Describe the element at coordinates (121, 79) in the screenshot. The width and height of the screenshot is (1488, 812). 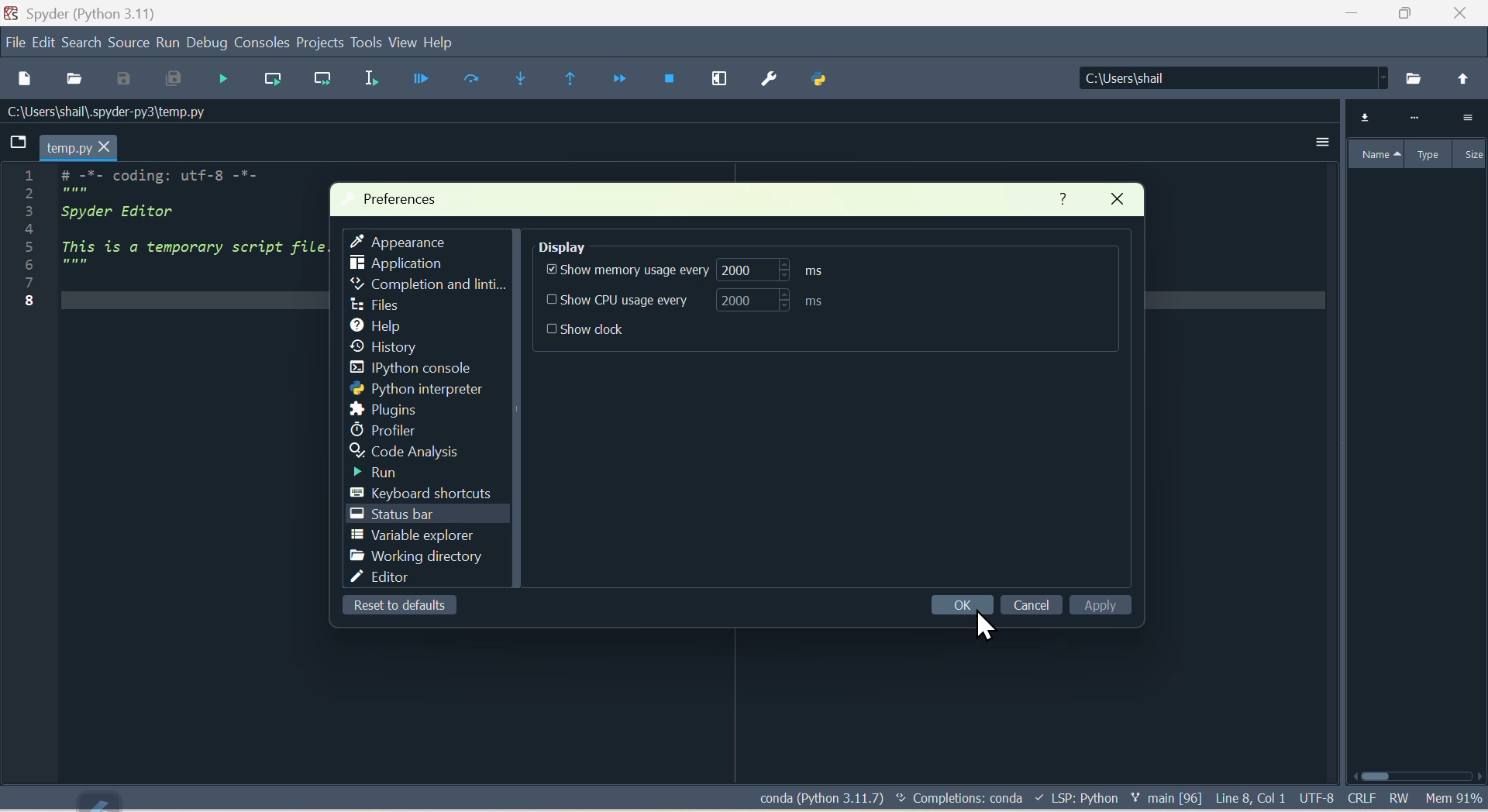
I see `Save as` at that location.